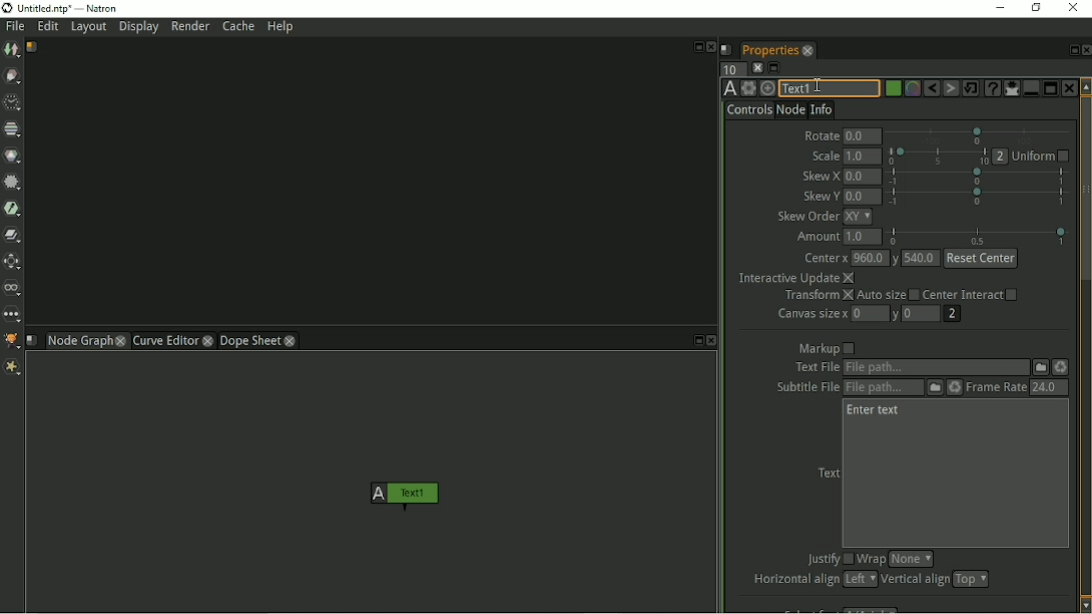 The height and width of the screenshot is (614, 1092). Describe the element at coordinates (827, 560) in the screenshot. I see `Justify` at that location.